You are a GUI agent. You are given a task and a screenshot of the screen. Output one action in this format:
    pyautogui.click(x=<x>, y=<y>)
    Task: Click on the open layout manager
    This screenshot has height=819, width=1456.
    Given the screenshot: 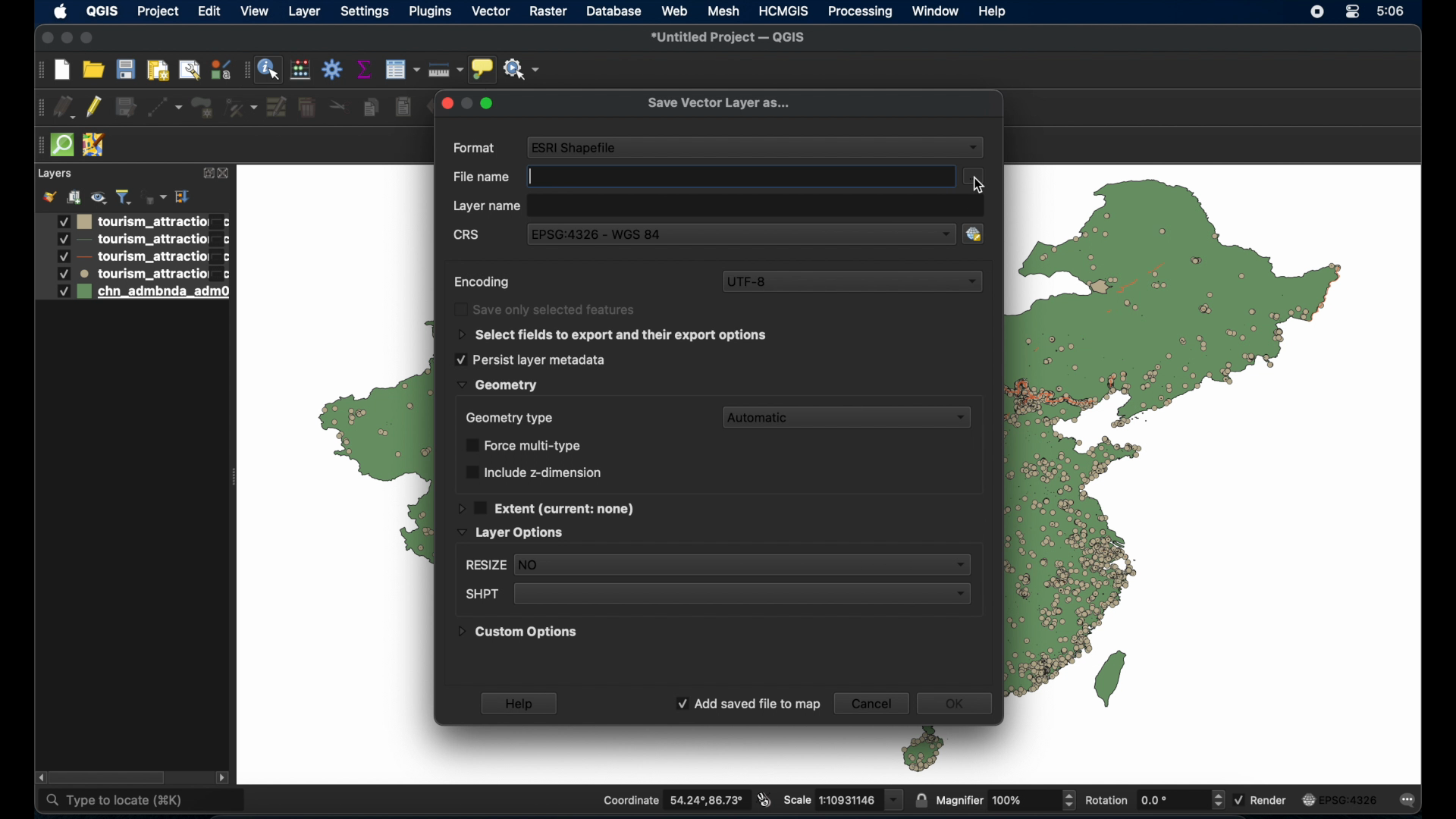 What is the action you would take?
    pyautogui.click(x=190, y=70)
    